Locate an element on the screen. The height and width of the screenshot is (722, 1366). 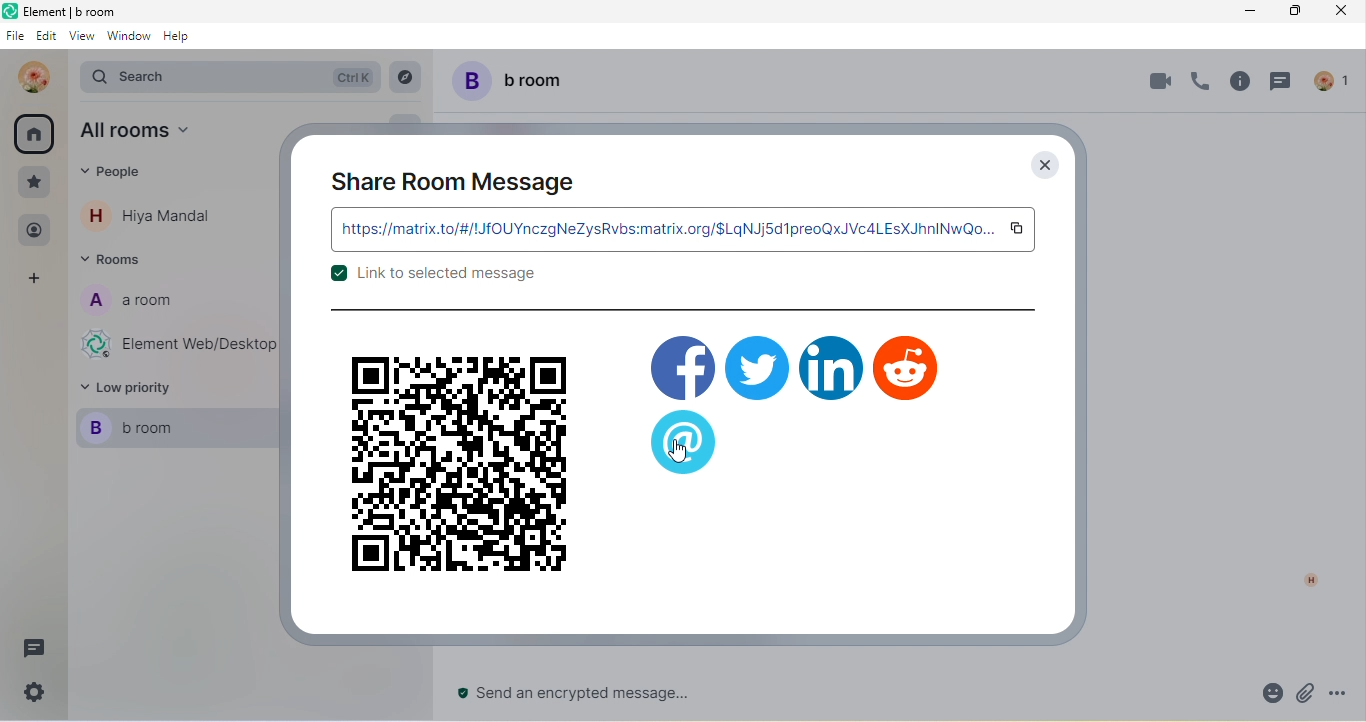
people is located at coordinates (1335, 79).